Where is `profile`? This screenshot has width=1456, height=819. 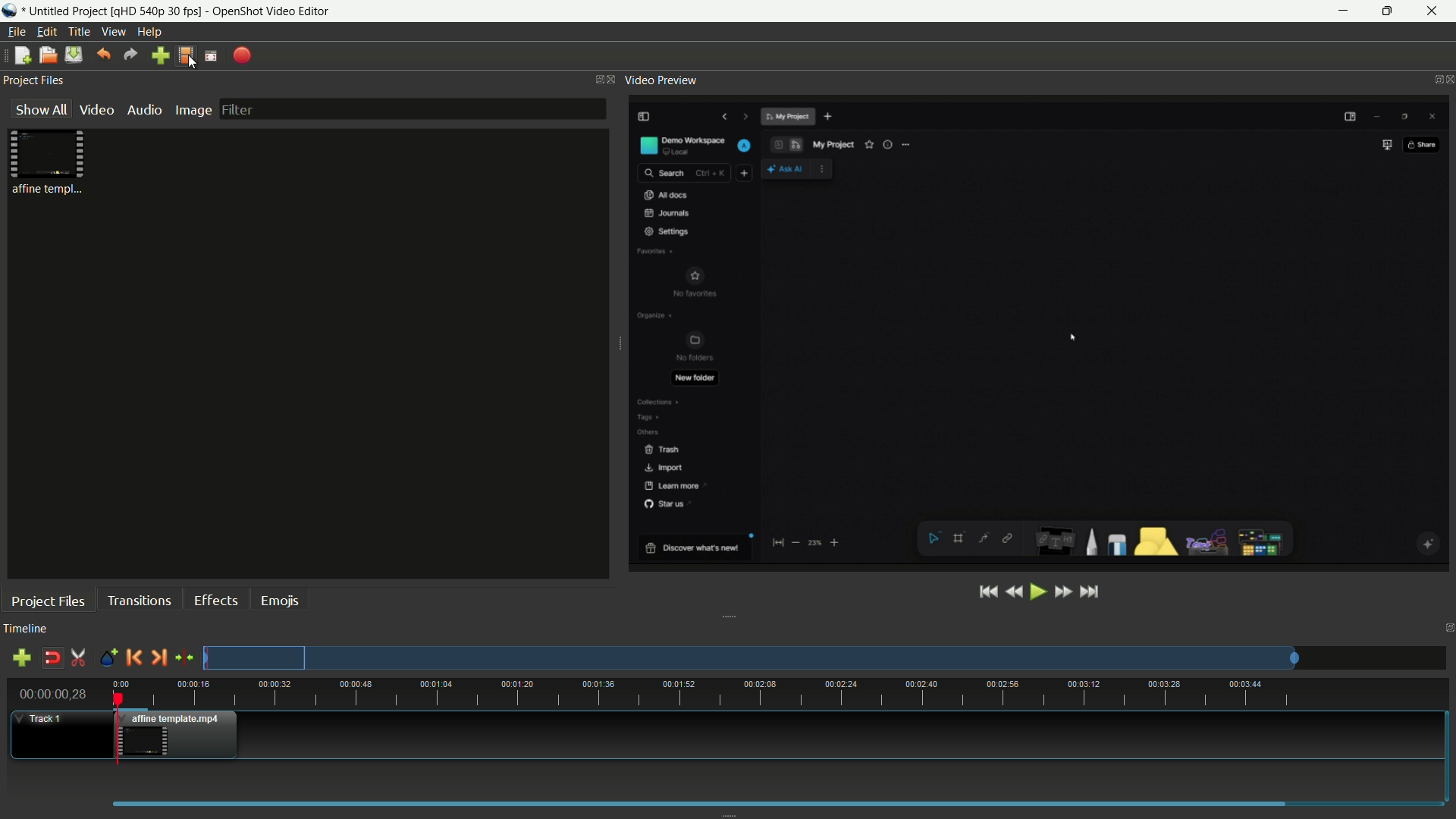
profile is located at coordinates (158, 10).